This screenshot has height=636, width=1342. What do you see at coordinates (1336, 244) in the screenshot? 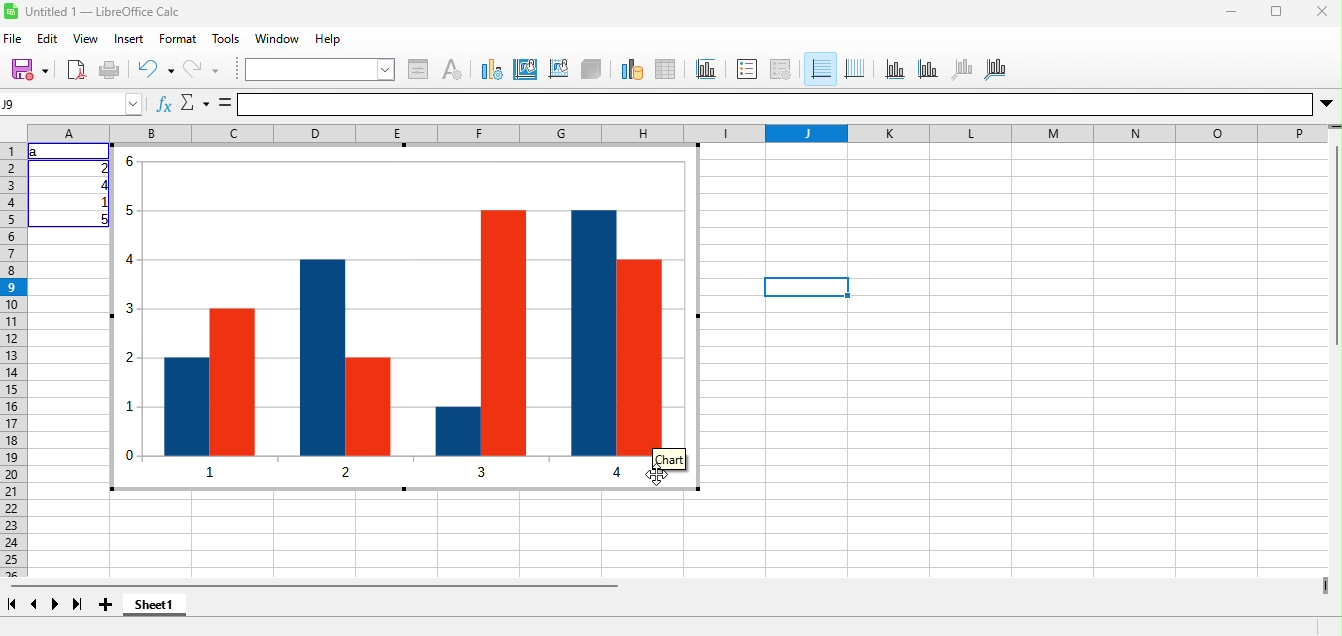
I see `Vertical slide bar` at bounding box center [1336, 244].